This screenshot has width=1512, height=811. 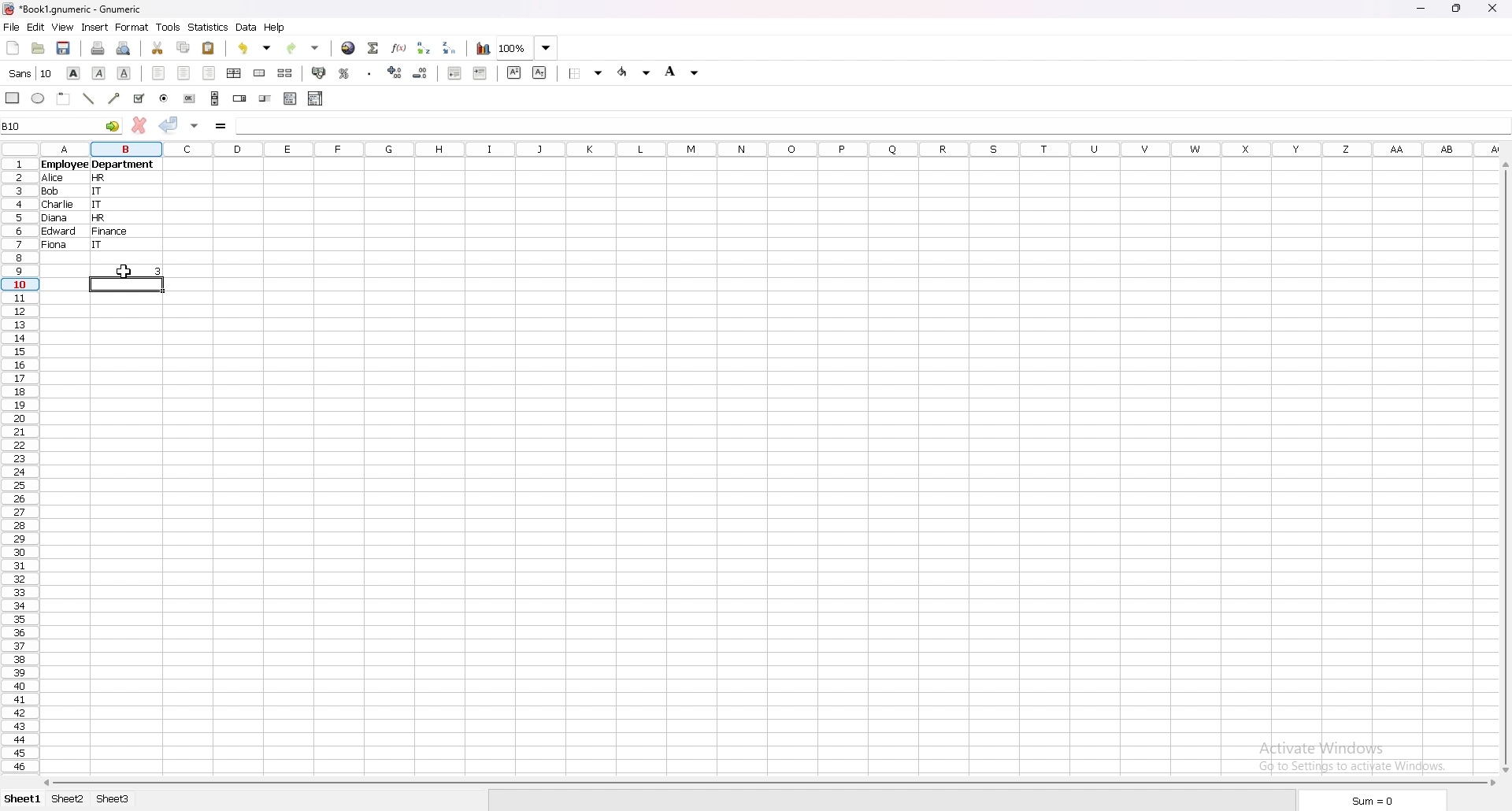 I want to click on split merged cells, so click(x=286, y=72).